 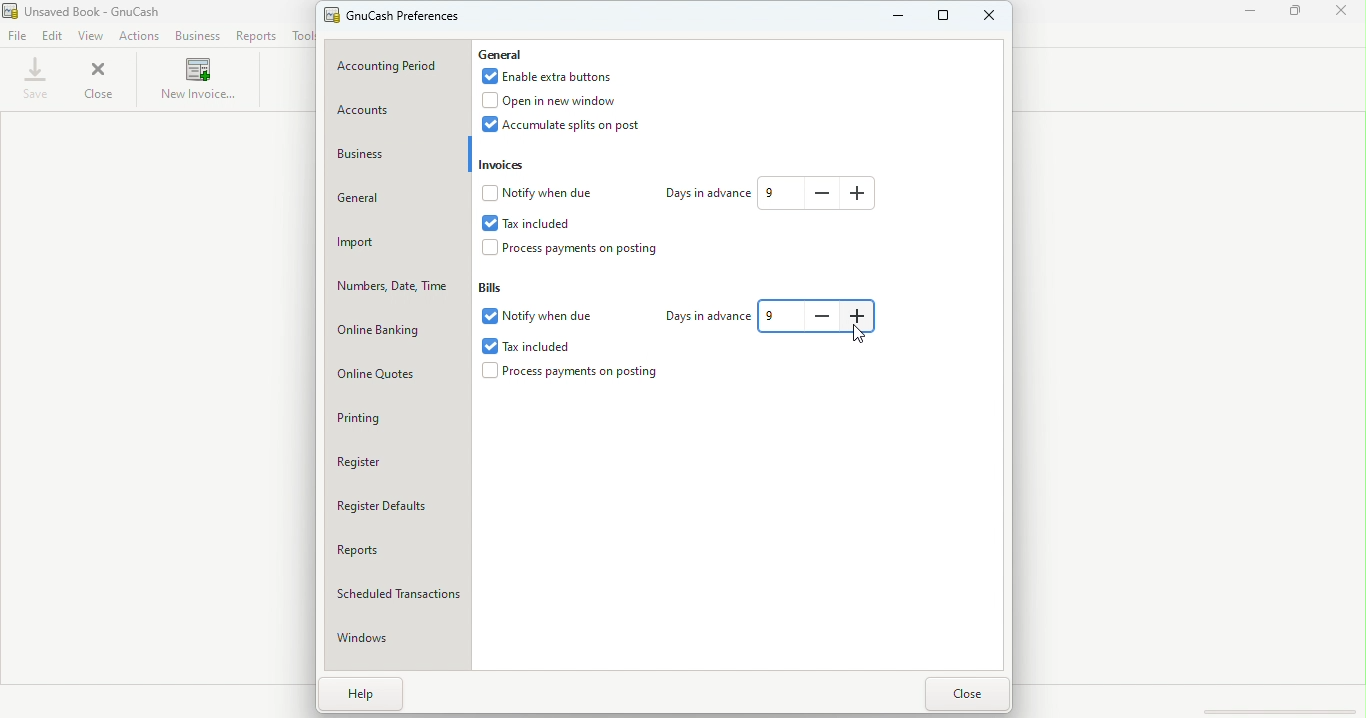 I want to click on Online quotes, so click(x=398, y=373).